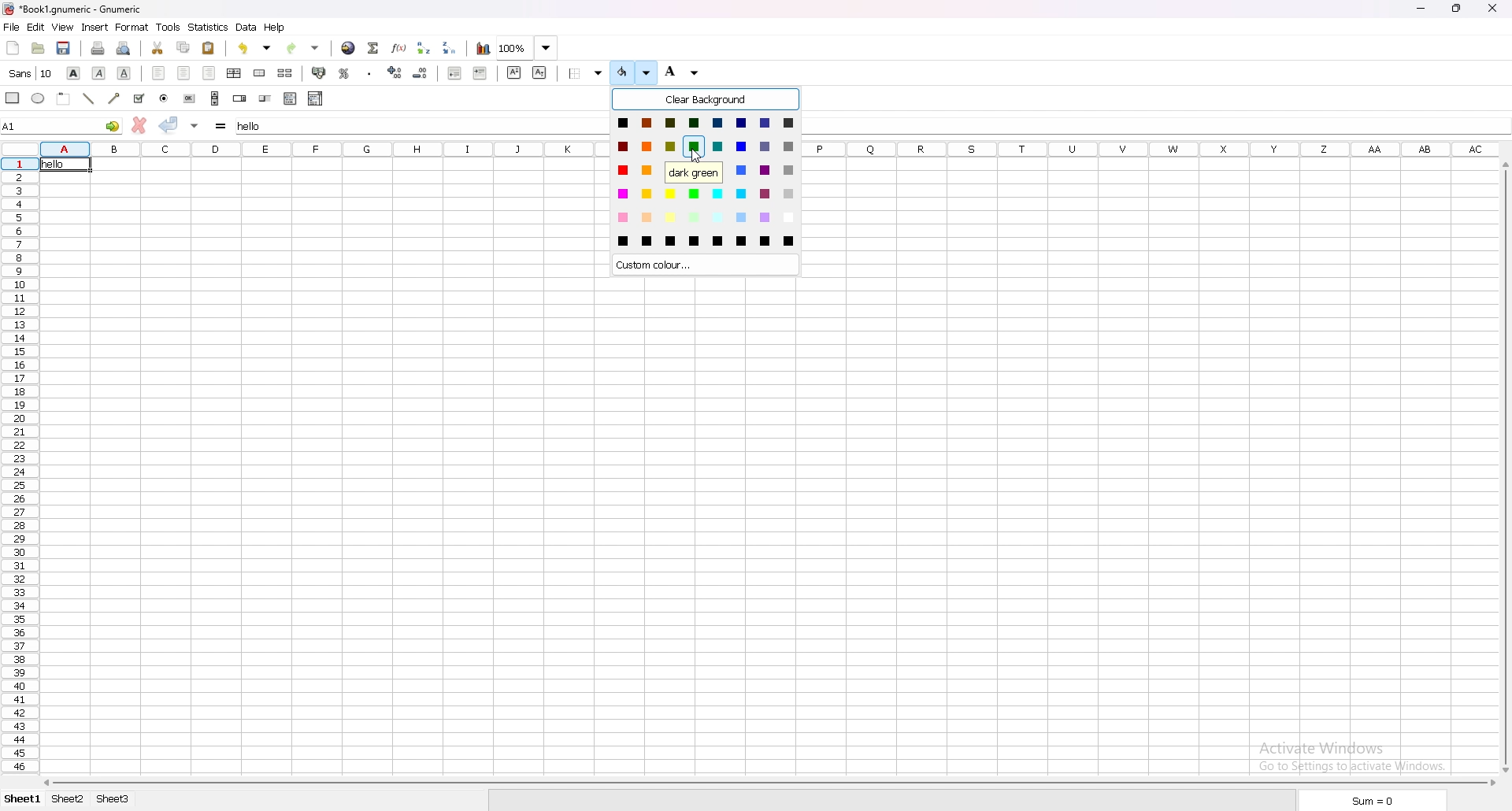 This screenshot has height=811, width=1512. What do you see at coordinates (12, 26) in the screenshot?
I see `file` at bounding box center [12, 26].